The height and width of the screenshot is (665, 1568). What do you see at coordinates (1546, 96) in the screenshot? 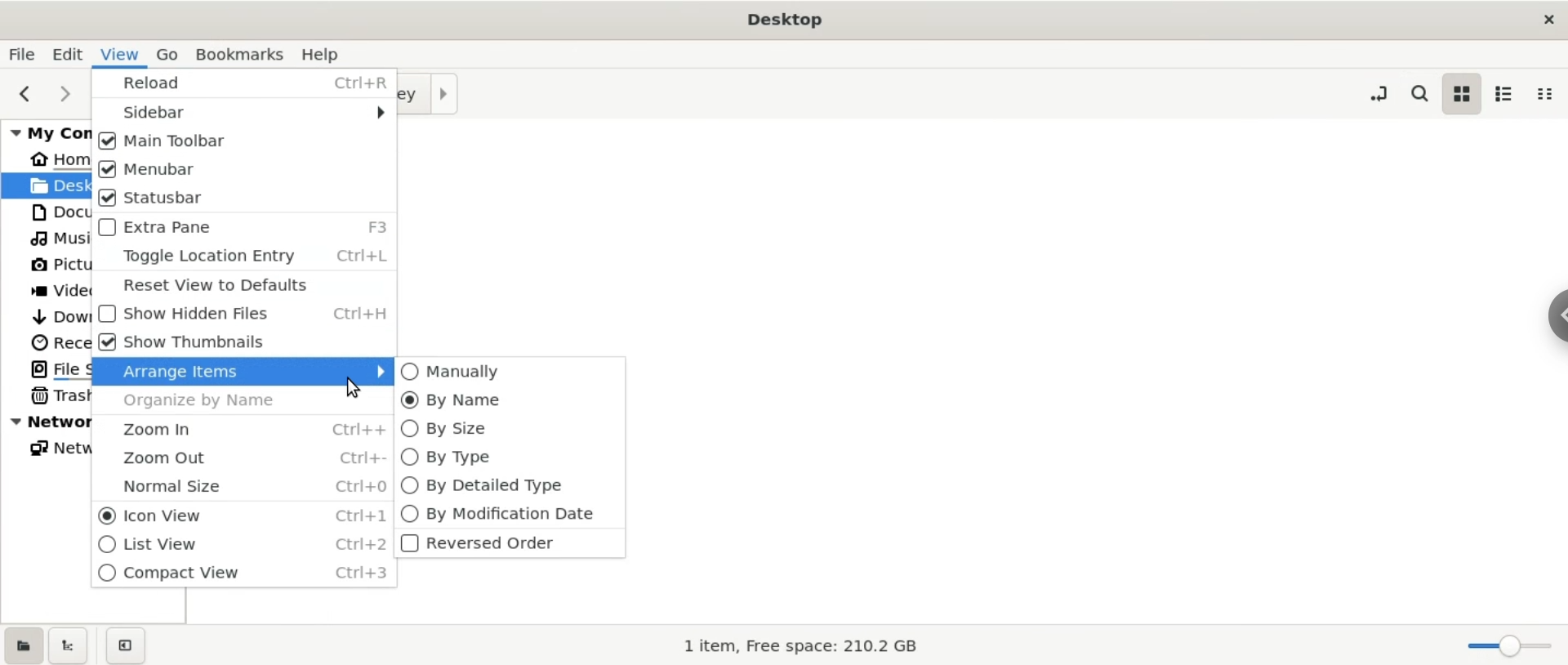
I see `compact view` at bounding box center [1546, 96].